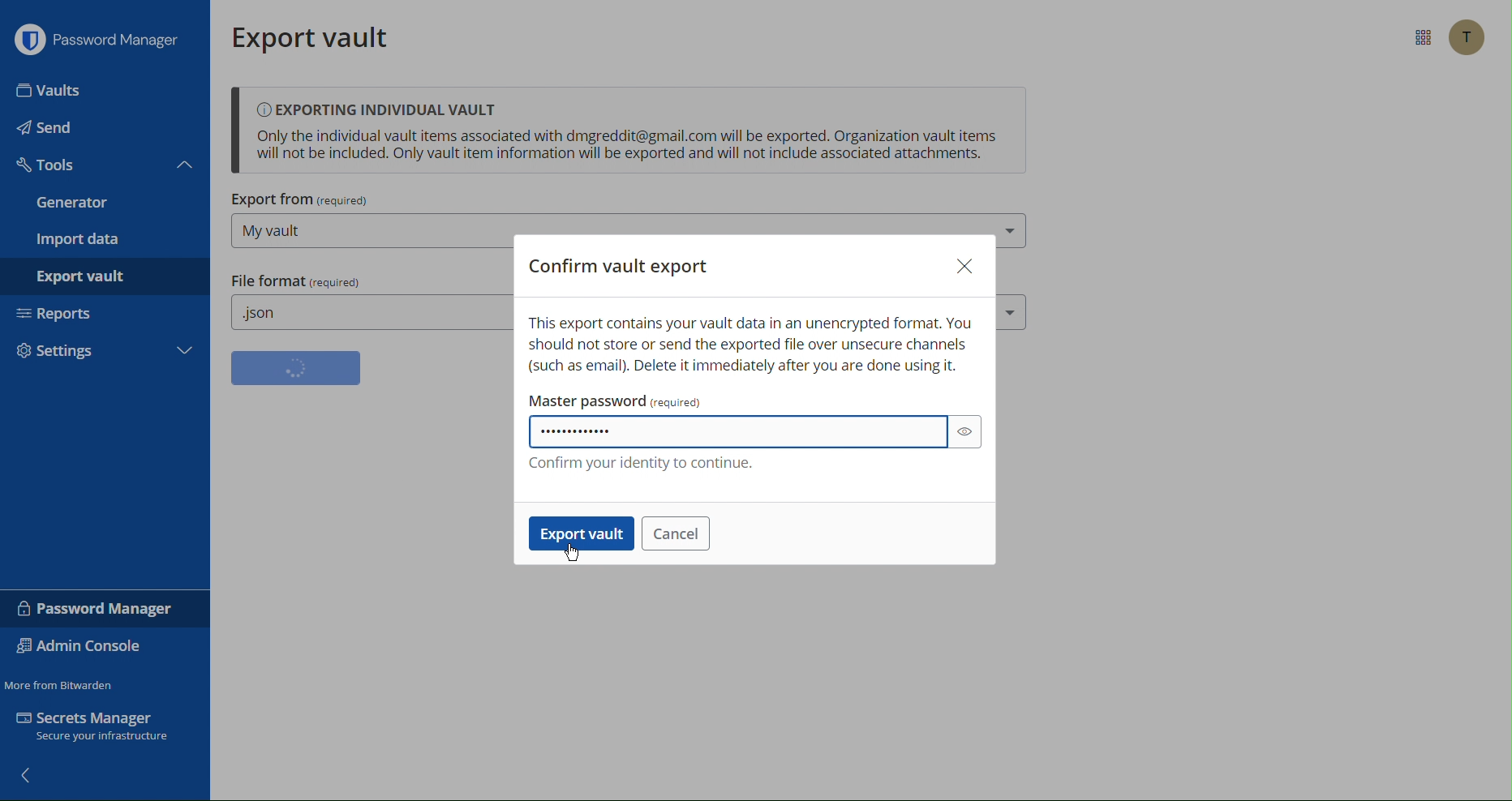 The image size is (1512, 801). What do you see at coordinates (51, 92) in the screenshot?
I see `Vaults` at bounding box center [51, 92].